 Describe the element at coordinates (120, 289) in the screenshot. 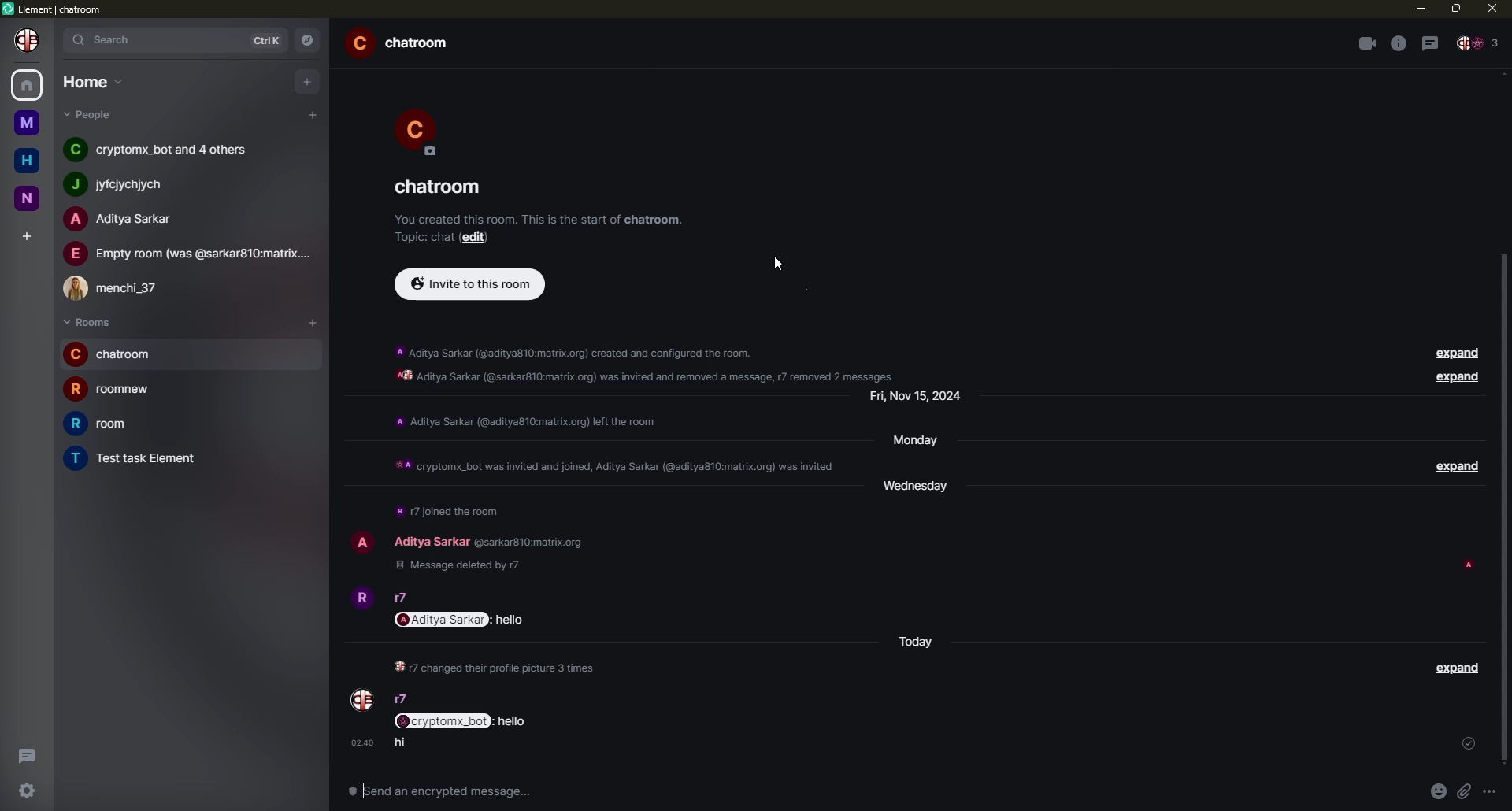

I see `people` at that location.